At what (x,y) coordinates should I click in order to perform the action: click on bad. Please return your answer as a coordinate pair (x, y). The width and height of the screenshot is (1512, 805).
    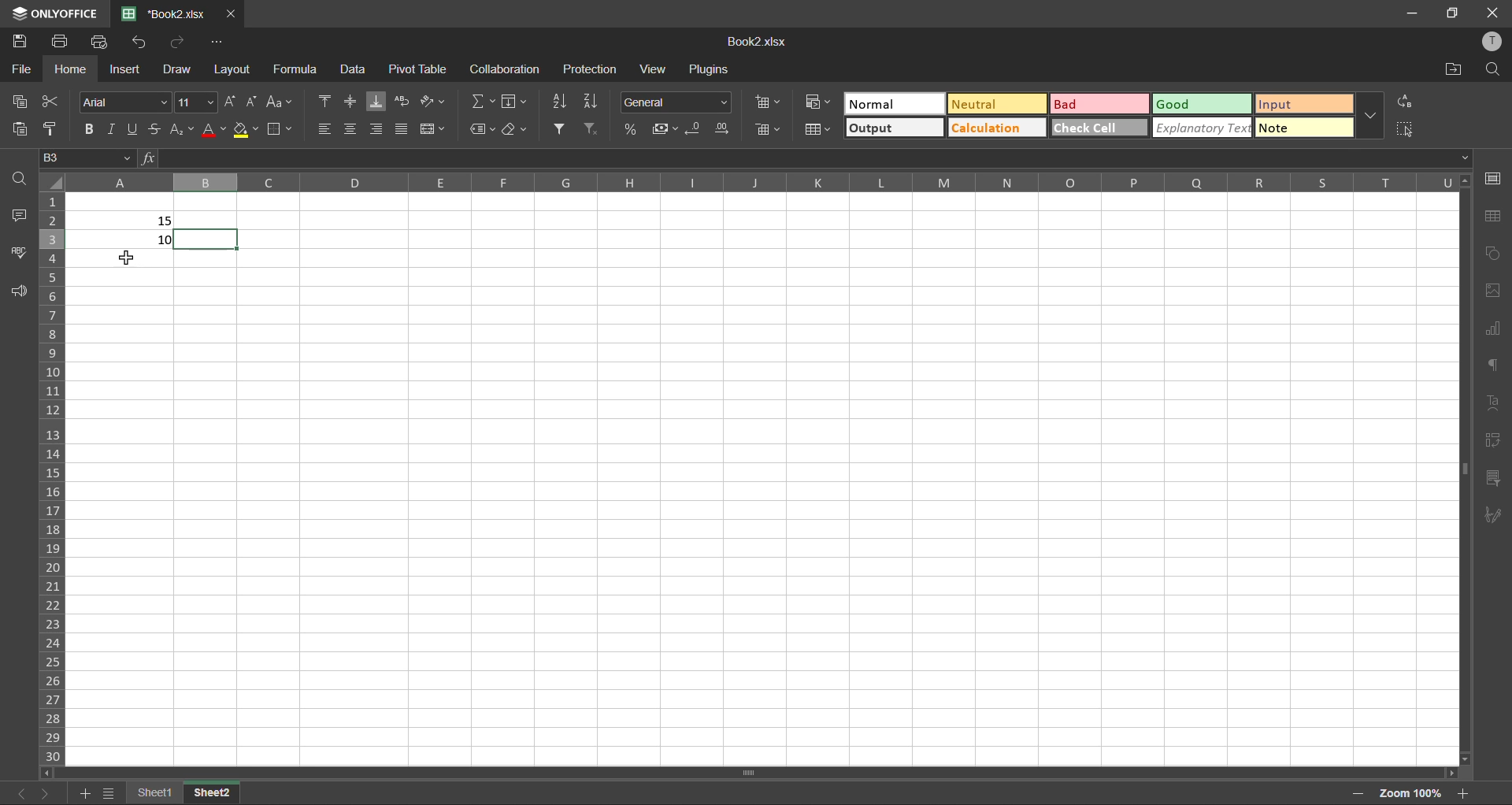
    Looking at the image, I should click on (1099, 104).